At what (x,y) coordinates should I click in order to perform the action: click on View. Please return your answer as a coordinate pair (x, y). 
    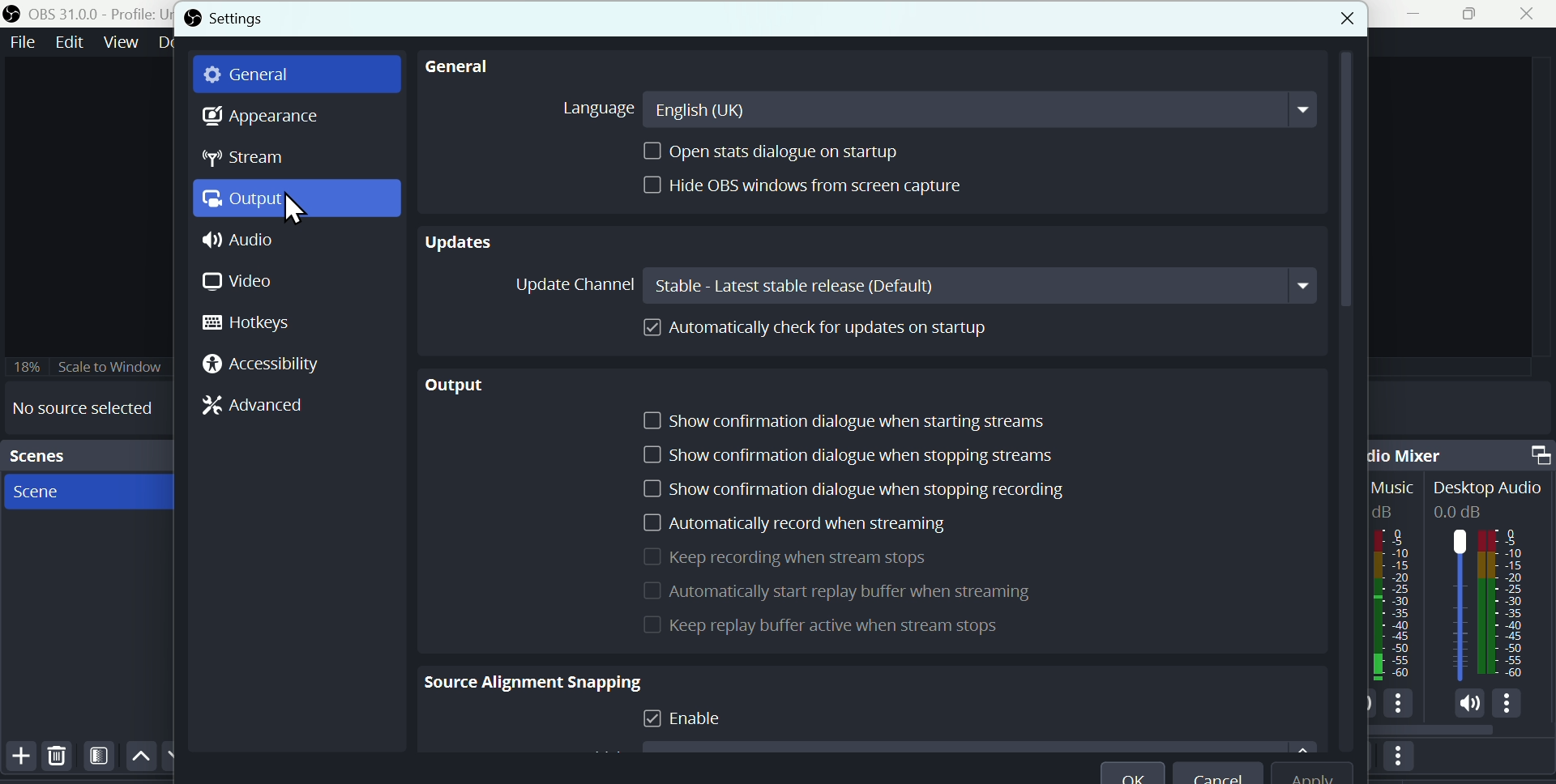
    Looking at the image, I should click on (120, 42).